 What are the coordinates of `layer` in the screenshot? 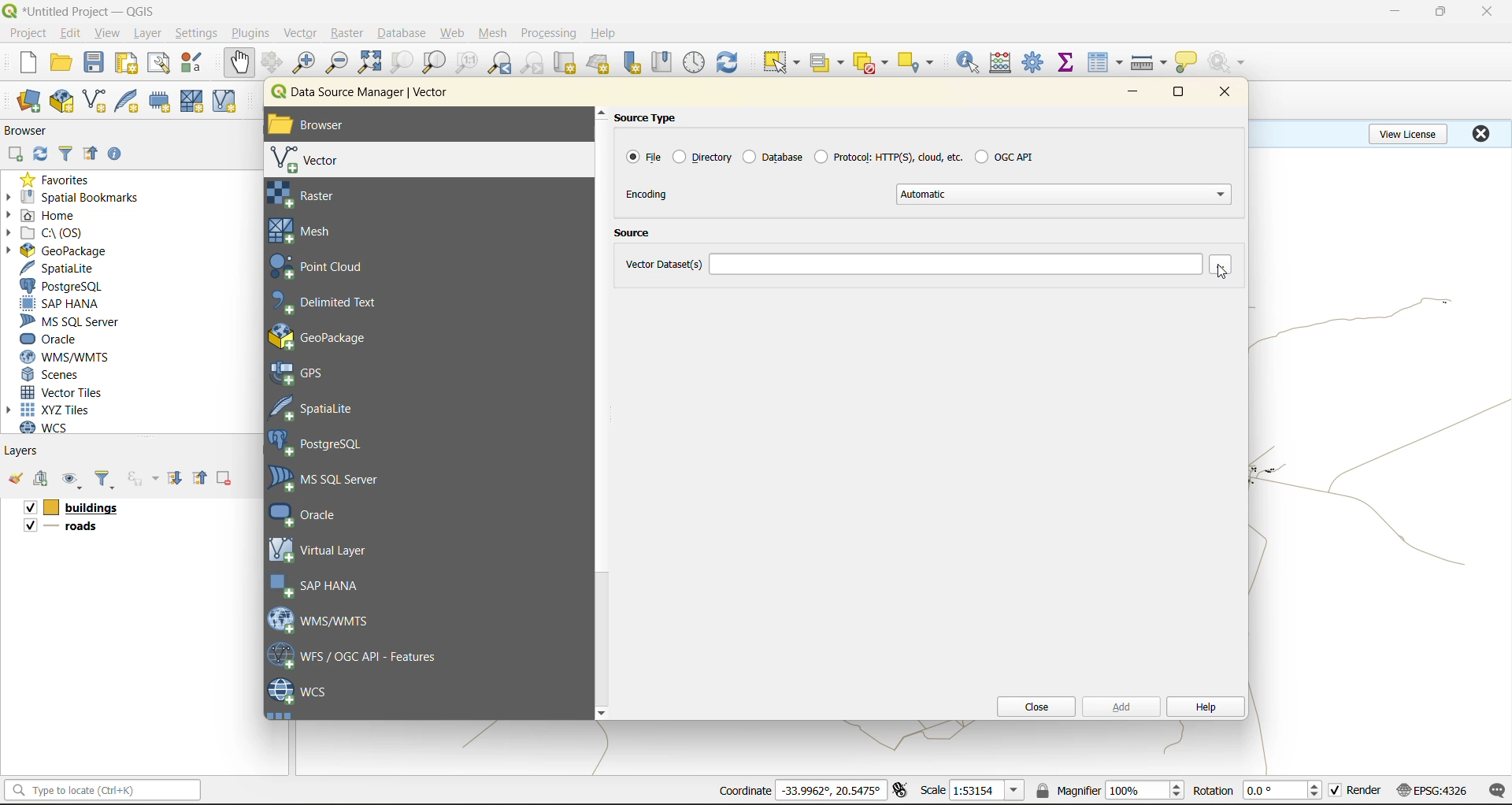 It's located at (145, 34).